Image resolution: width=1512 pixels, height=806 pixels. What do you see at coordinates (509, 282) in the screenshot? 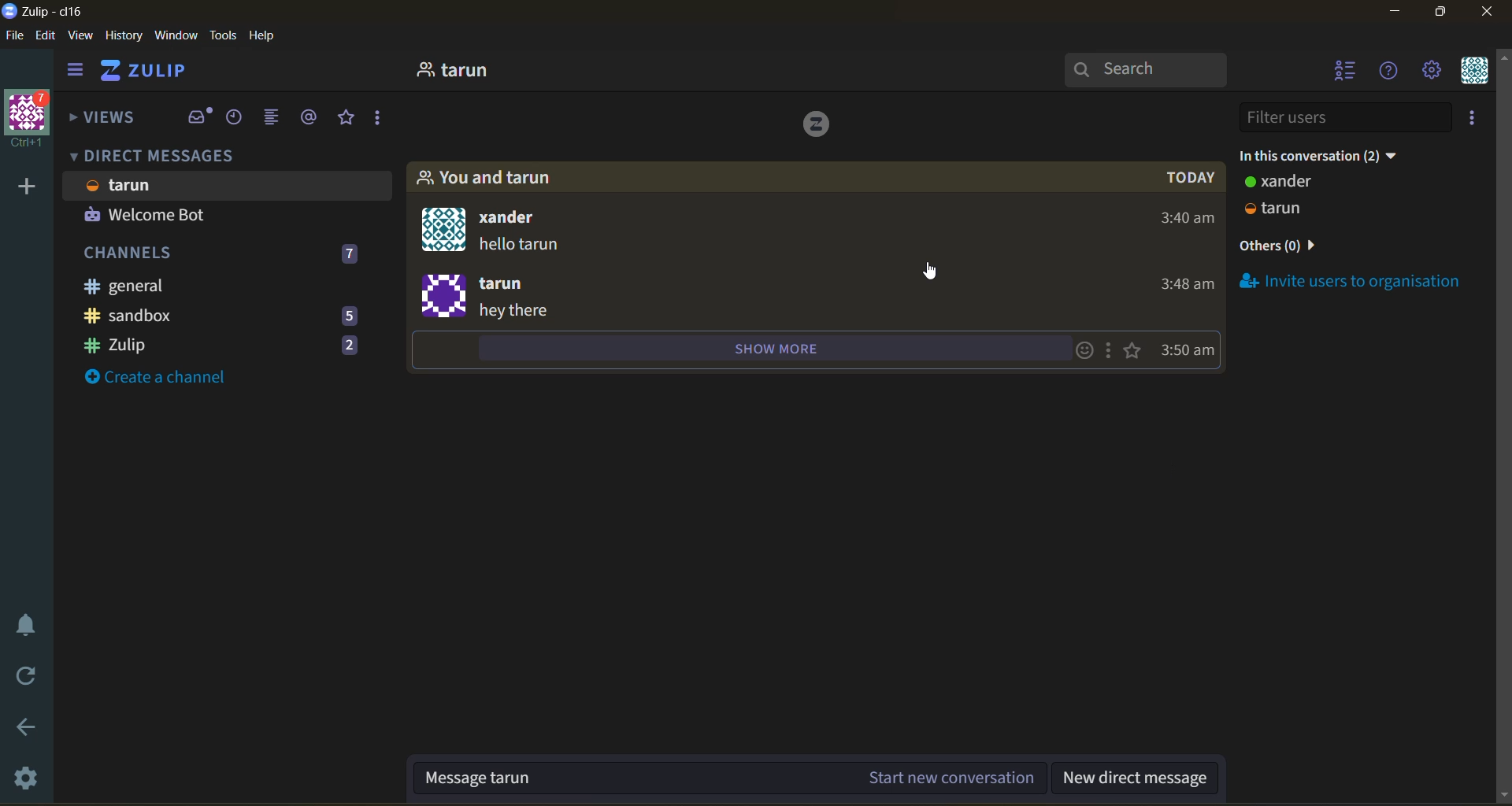
I see `user name` at bounding box center [509, 282].